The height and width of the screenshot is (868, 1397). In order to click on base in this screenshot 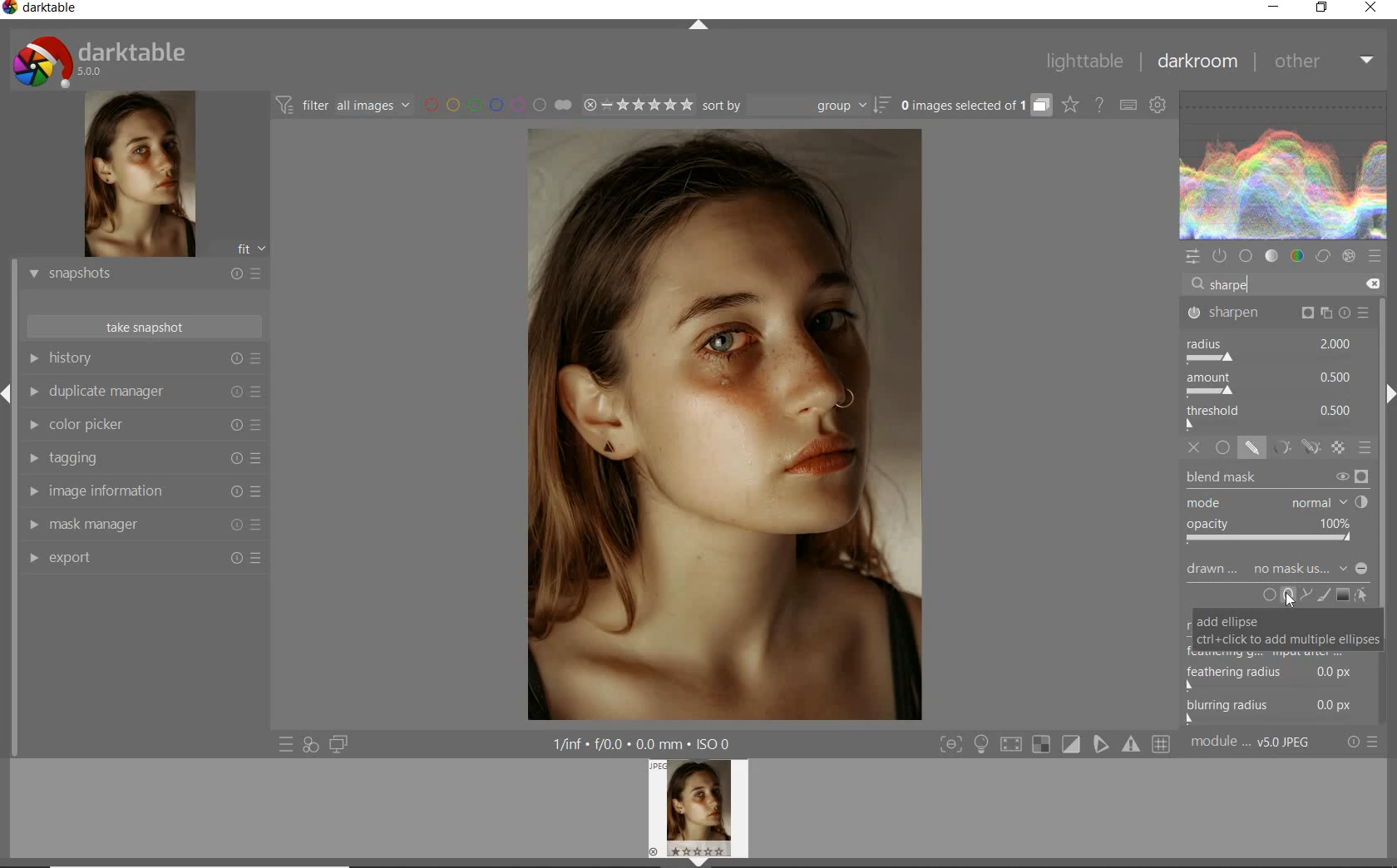, I will do `click(1247, 257)`.